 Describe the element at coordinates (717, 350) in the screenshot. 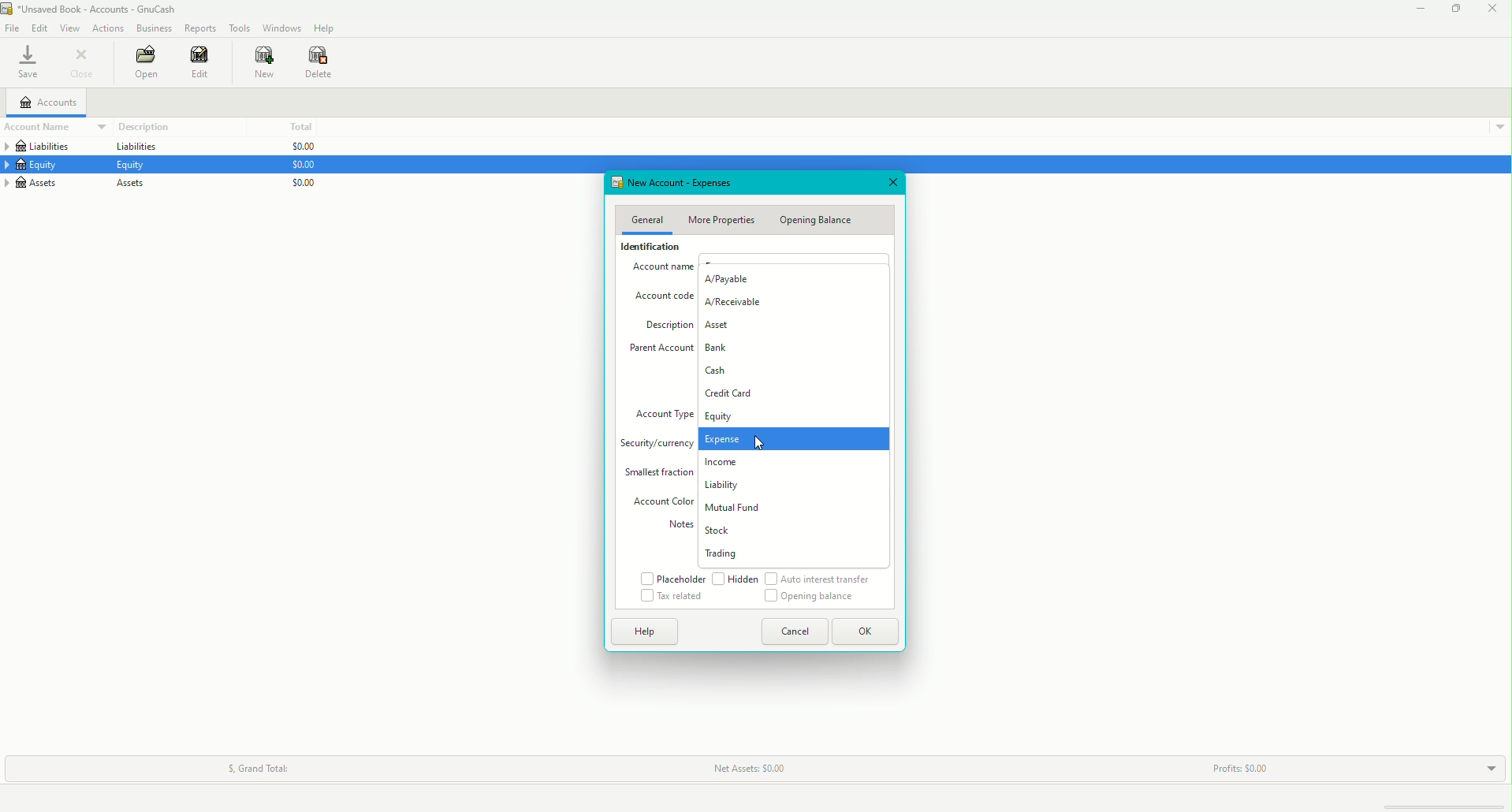

I see `Bank` at that location.